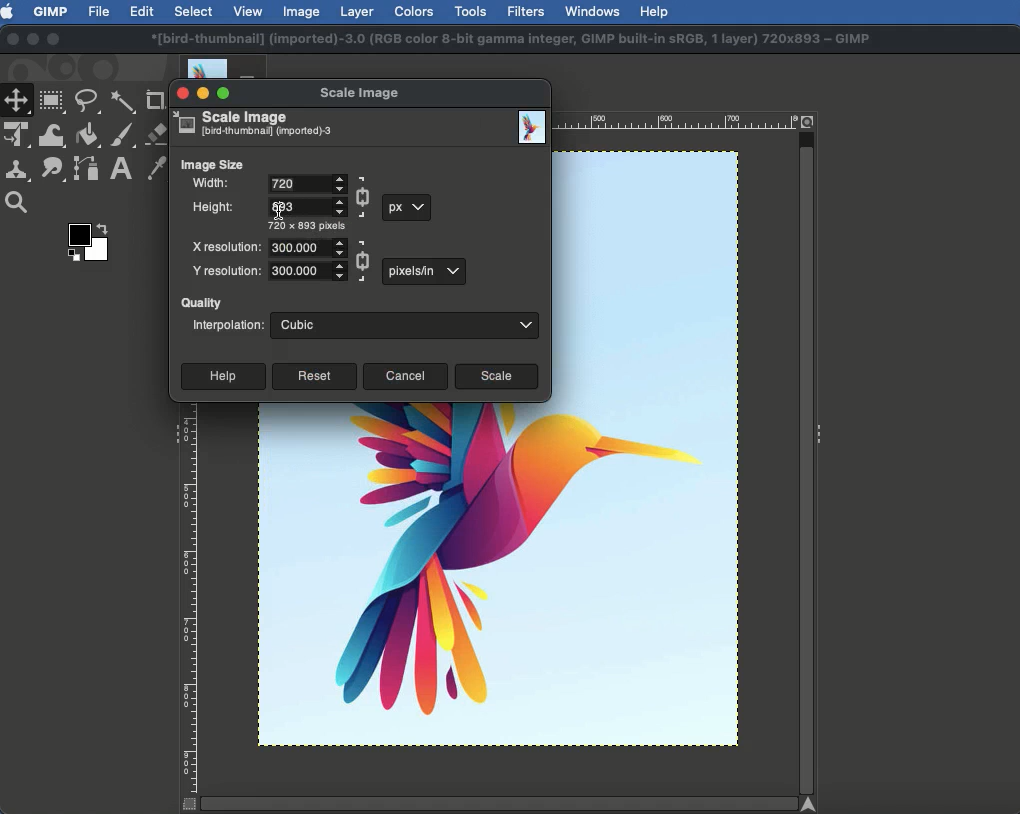  Describe the element at coordinates (183, 93) in the screenshot. I see `Close` at that location.